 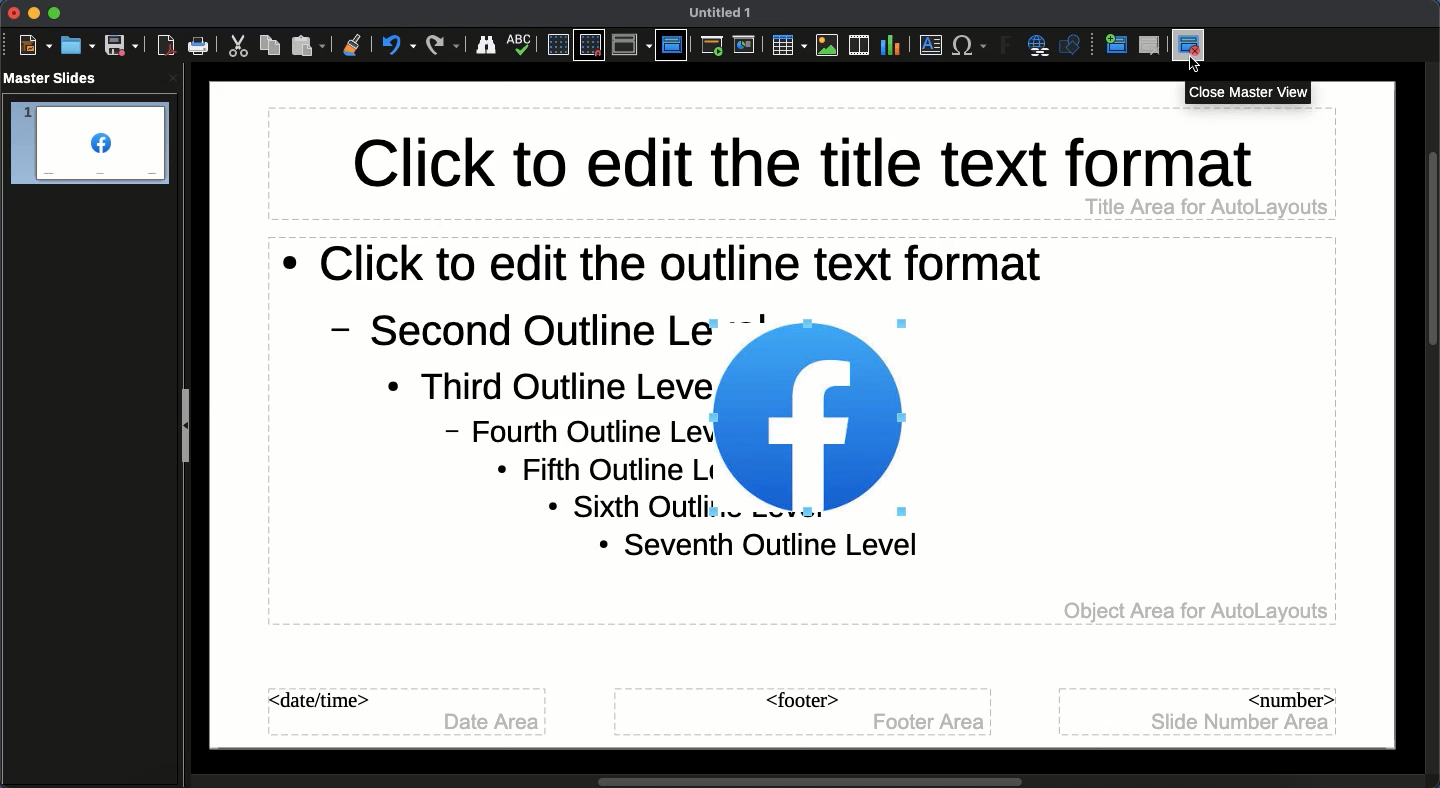 What do you see at coordinates (1250, 93) in the screenshot?
I see `Close master view` at bounding box center [1250, 93].